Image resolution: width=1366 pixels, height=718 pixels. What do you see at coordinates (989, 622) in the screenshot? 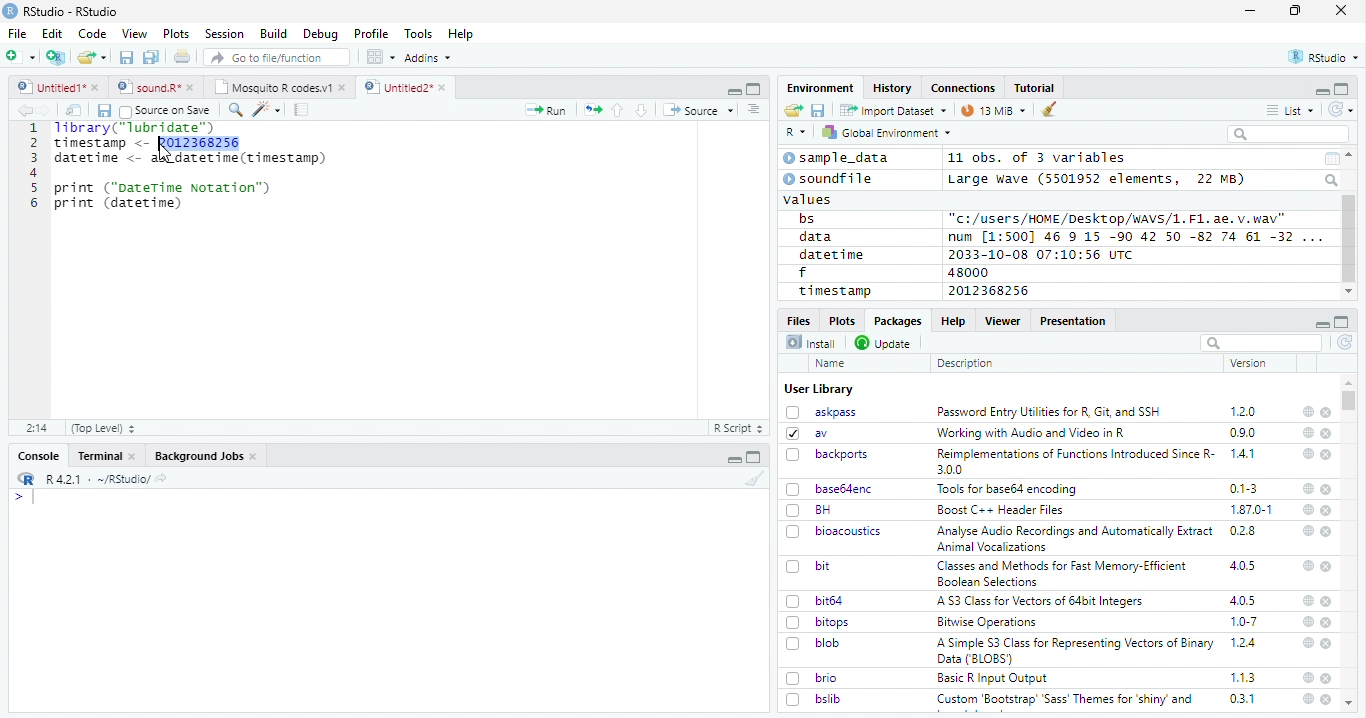
I see `Bitwise Operations` at bounding box center [989, 622].